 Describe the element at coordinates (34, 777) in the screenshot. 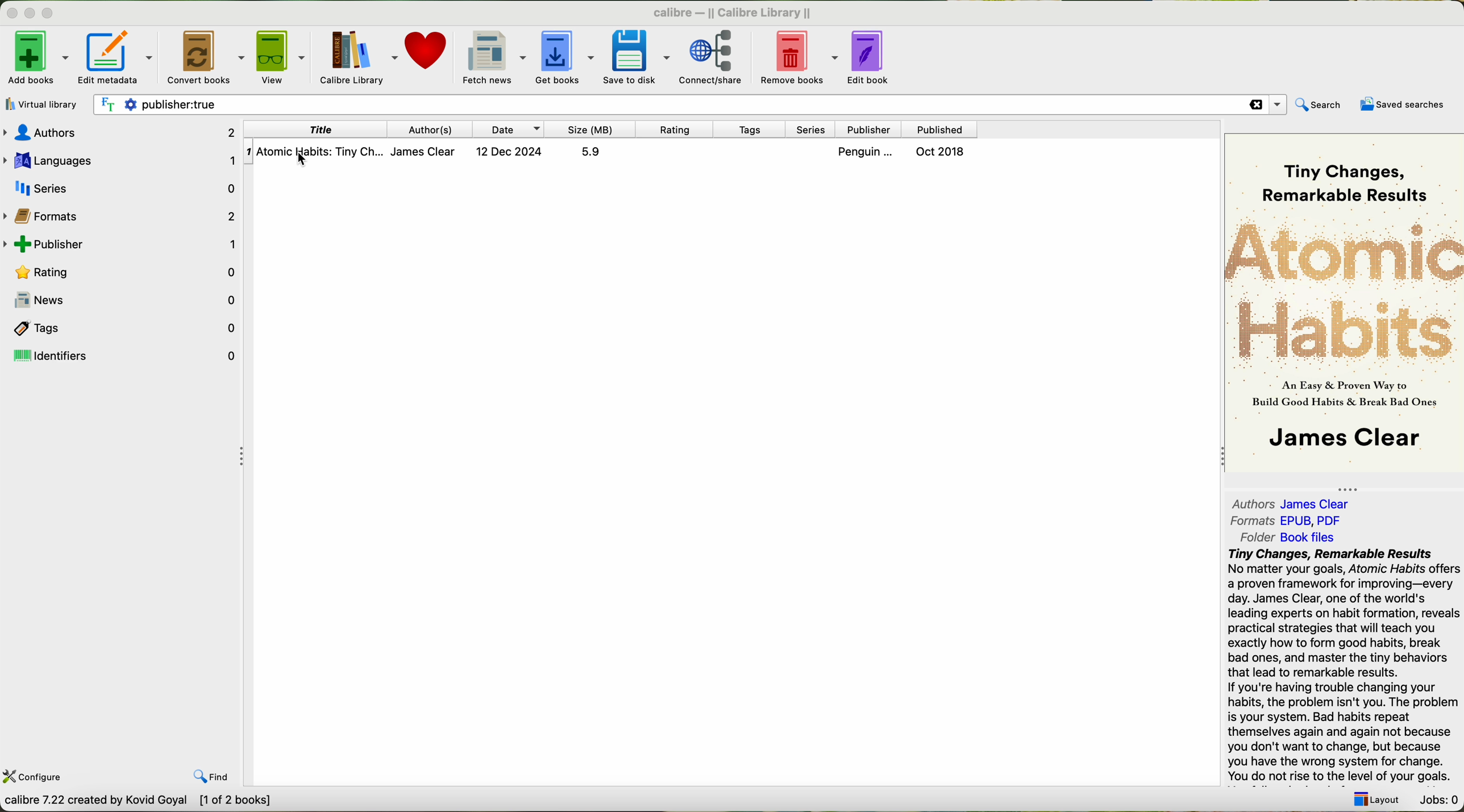

I see `configure` at that location.